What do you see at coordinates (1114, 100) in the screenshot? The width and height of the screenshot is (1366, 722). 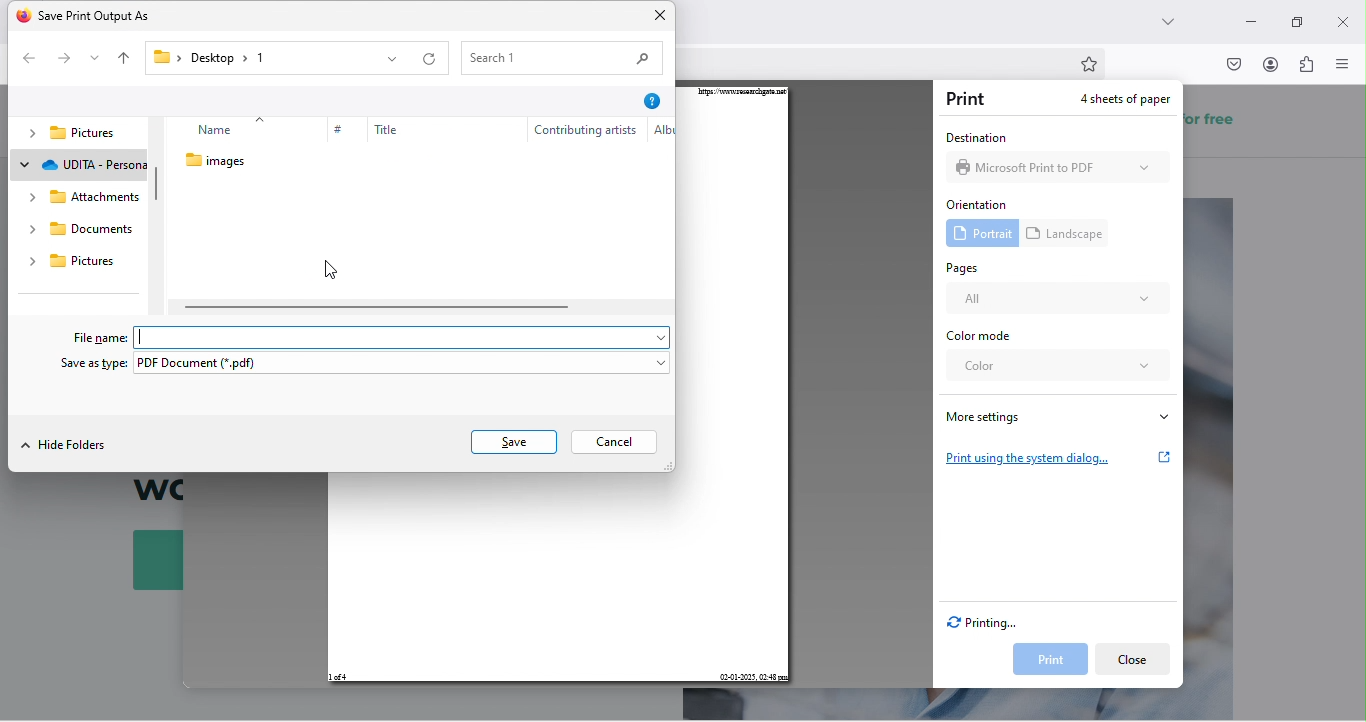 I see `4 sheets of paper` at bounding box center [1114, 100].